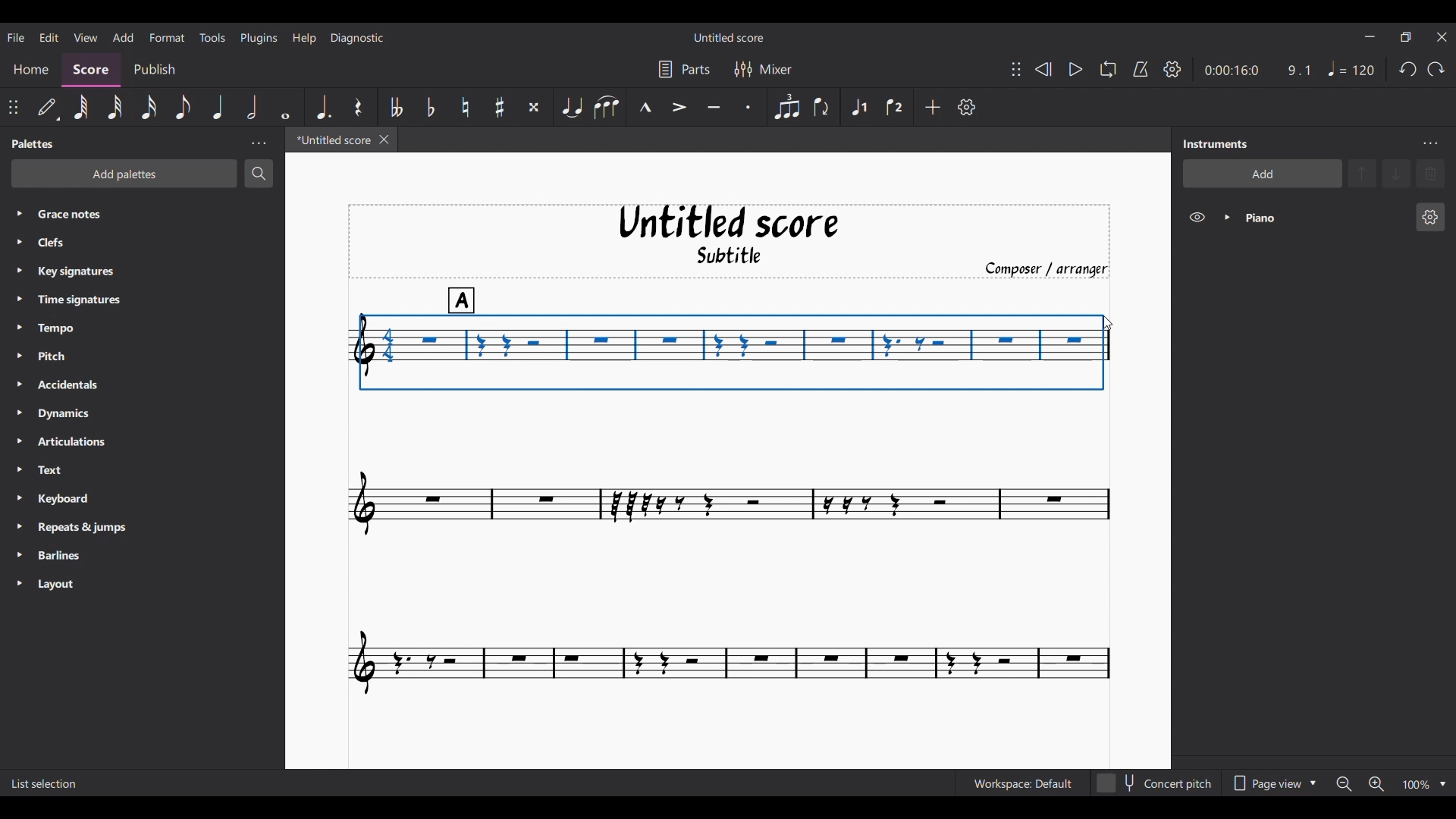  What do you see at coordinates (397, 107) in the screenshot?
I see `Toggle double flat` at bounding box center [397, 107].